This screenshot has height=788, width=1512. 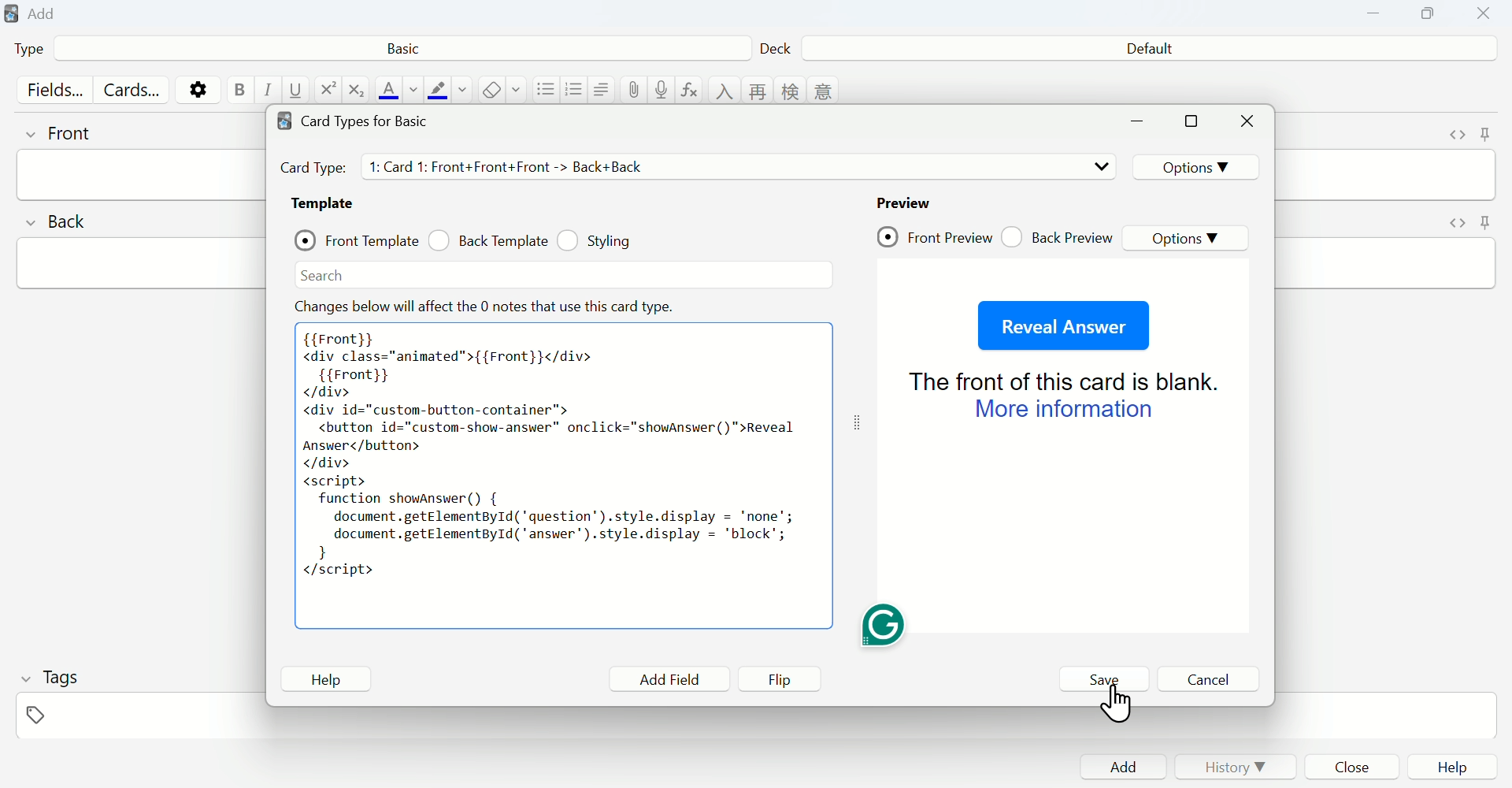 I want to click on Card Types details, so click(x=478, y=166).